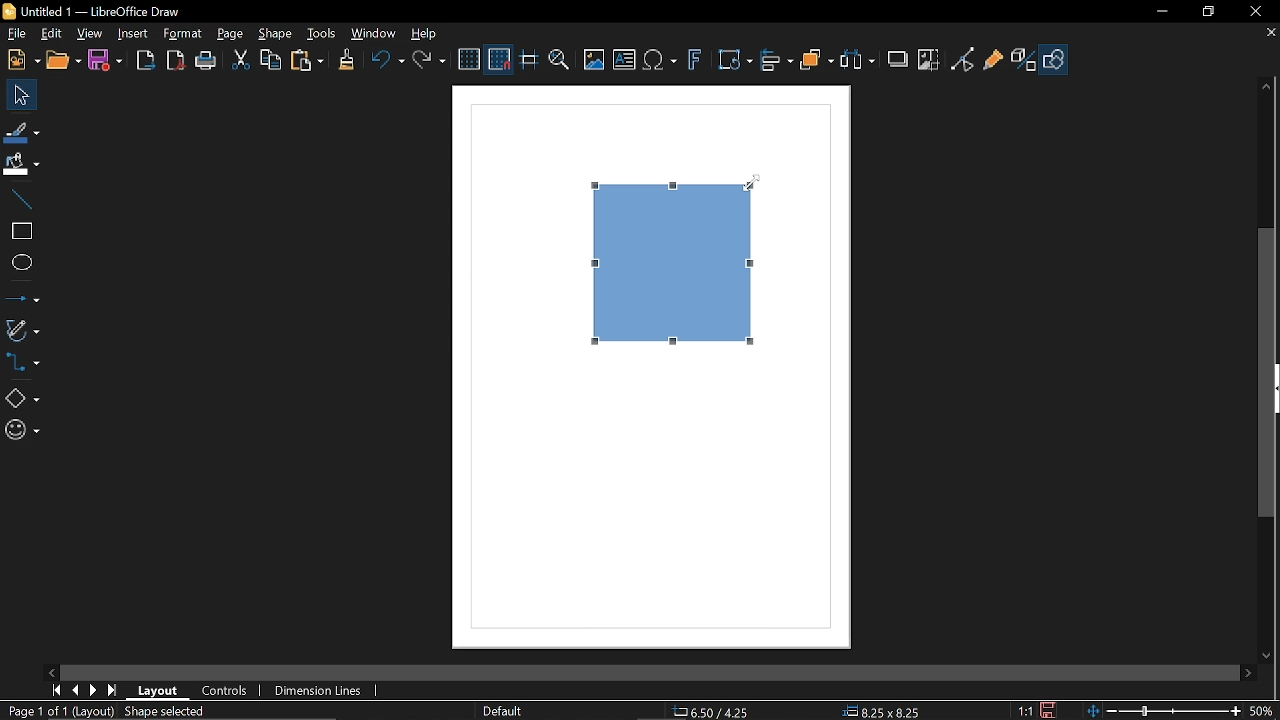  I want to click on previous page, so click(76, 690).